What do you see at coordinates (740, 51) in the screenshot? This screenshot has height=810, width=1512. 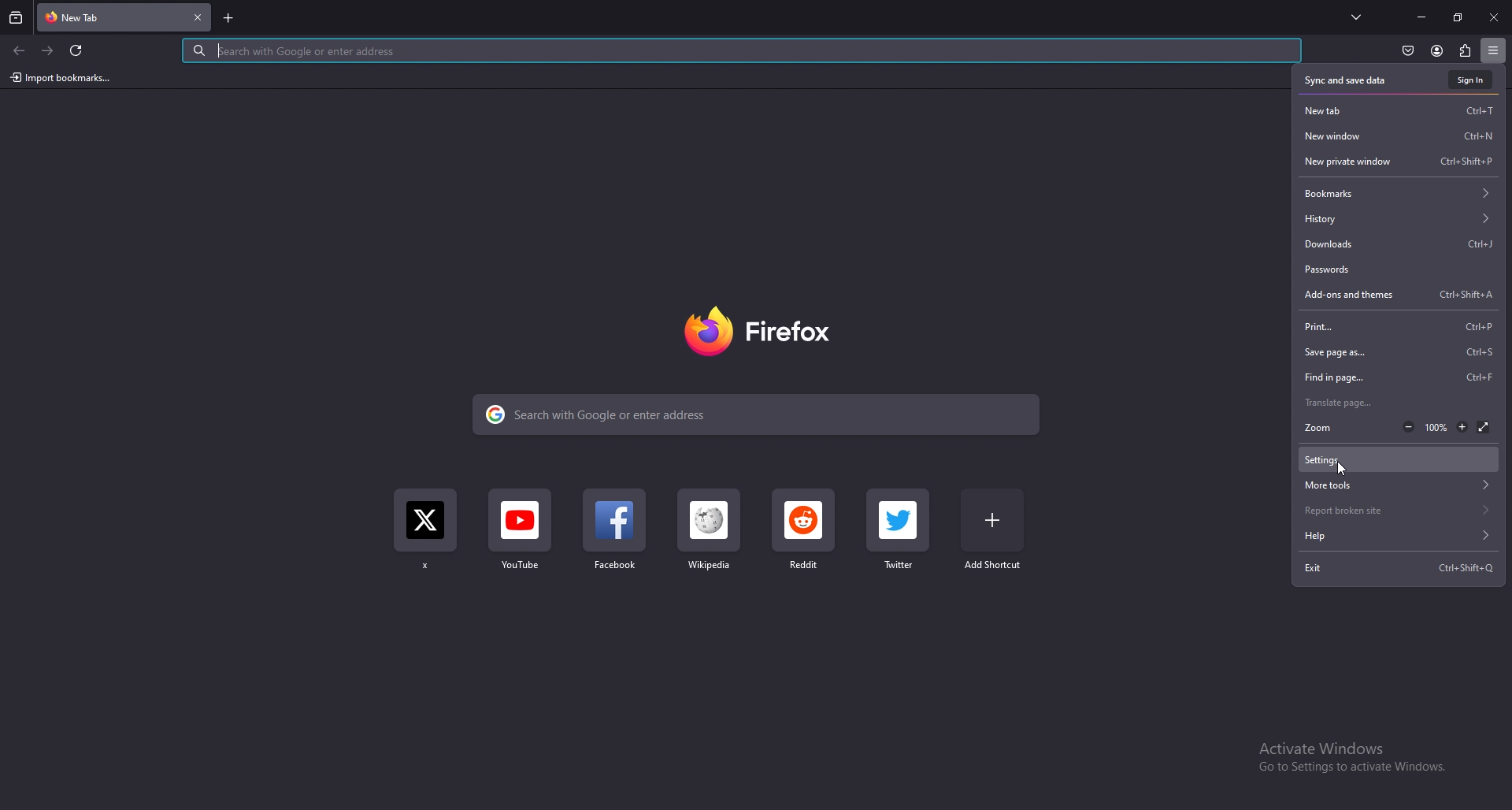 I see `search bar` at bounding box center [740, 51].